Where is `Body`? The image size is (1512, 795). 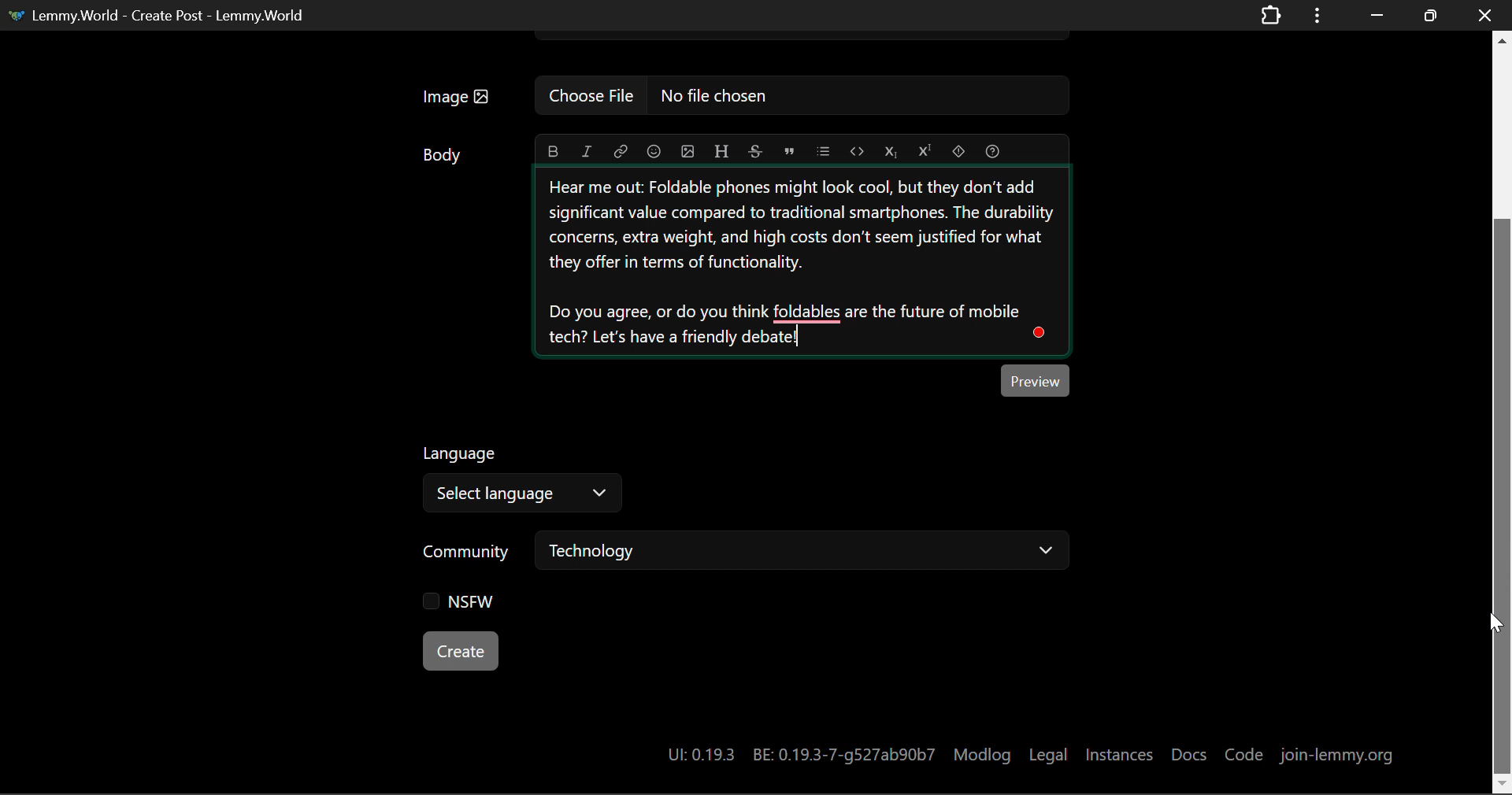 Body is located at coordinates (443, 153).